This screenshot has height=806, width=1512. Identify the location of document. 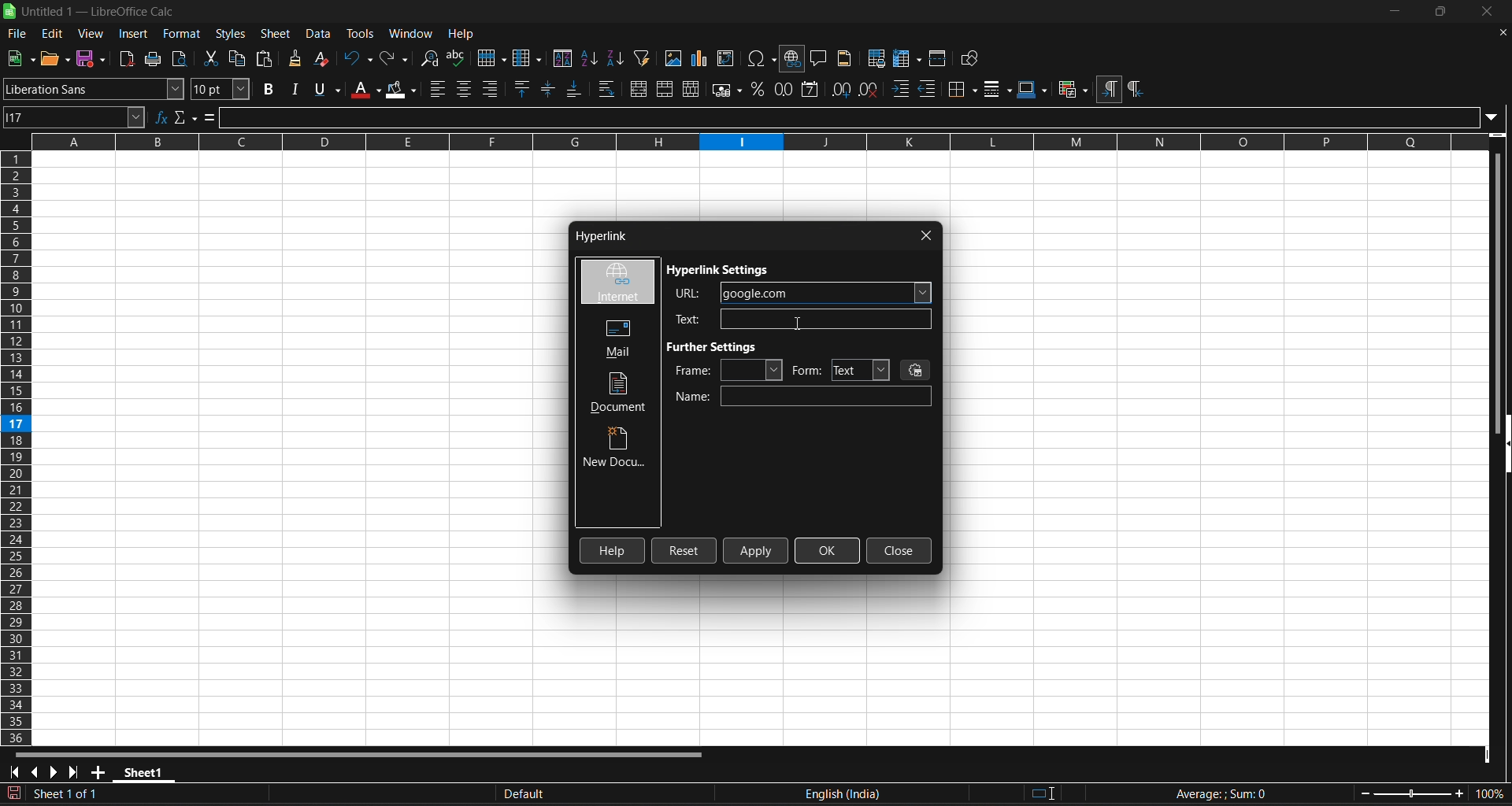
(621, 393).